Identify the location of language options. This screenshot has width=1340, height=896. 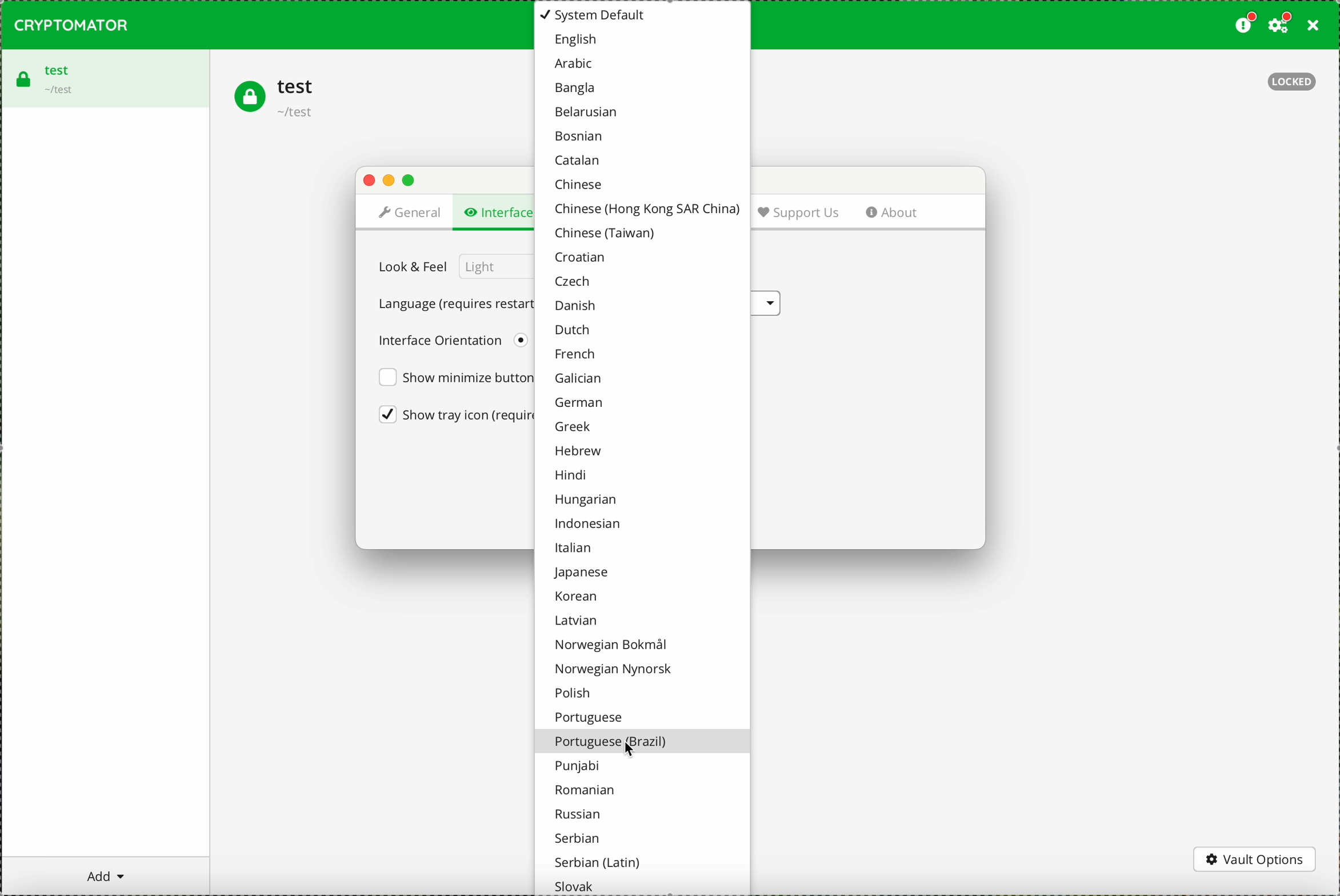
(768, 302).